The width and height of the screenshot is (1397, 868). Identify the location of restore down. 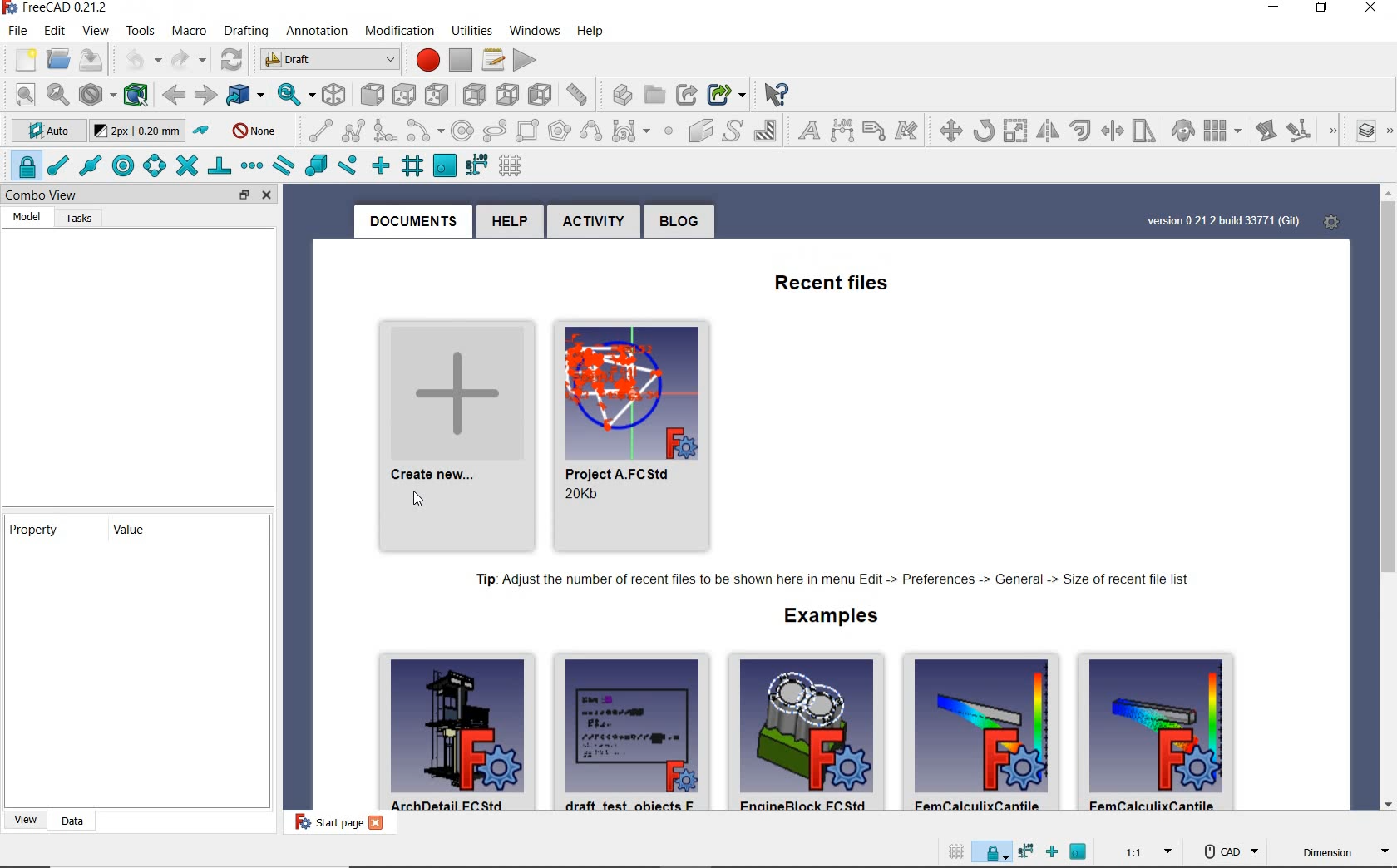
(239, 196).